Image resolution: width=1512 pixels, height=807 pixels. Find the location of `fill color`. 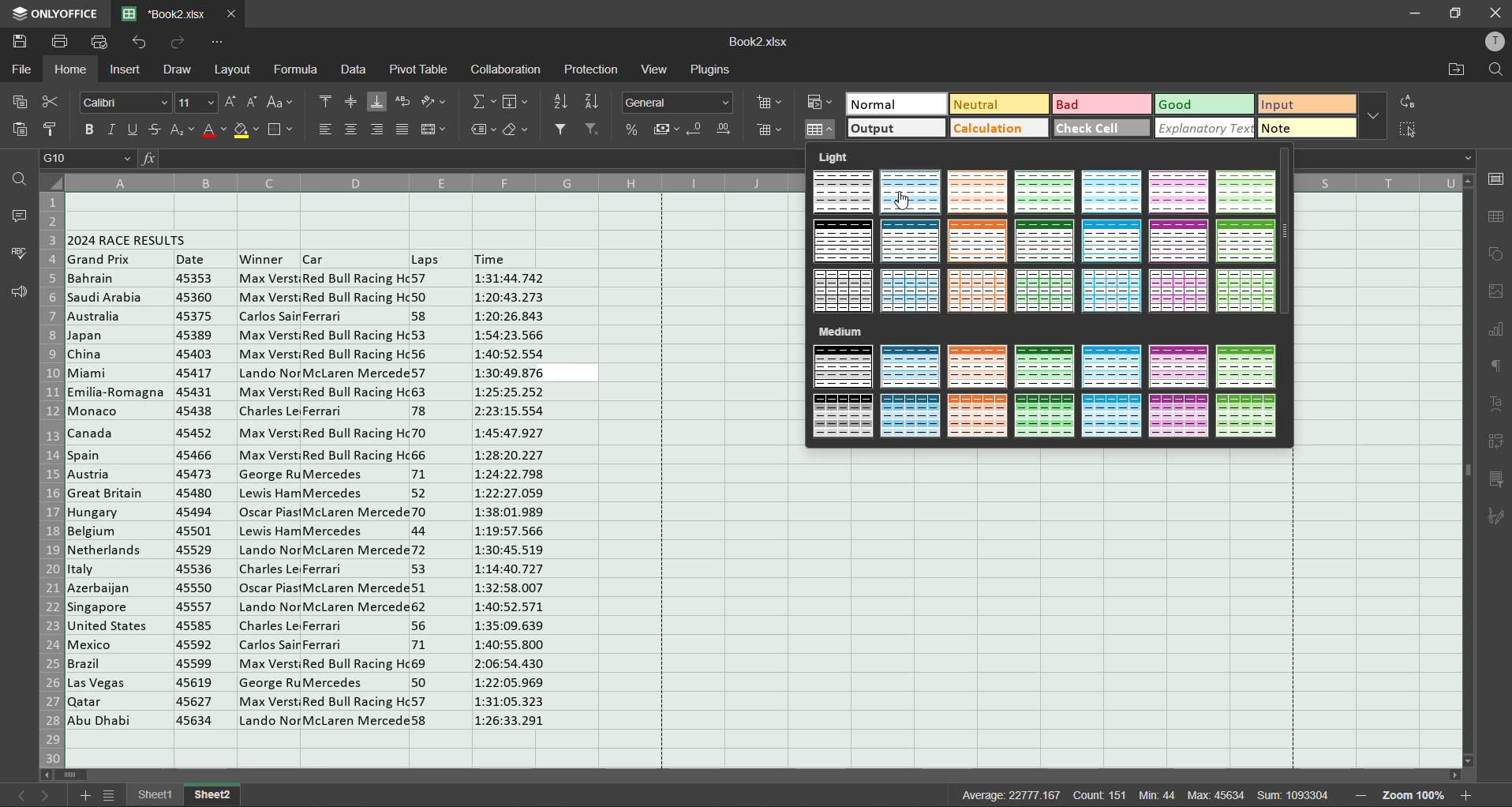

fill color is located at coordinates (246, 133).